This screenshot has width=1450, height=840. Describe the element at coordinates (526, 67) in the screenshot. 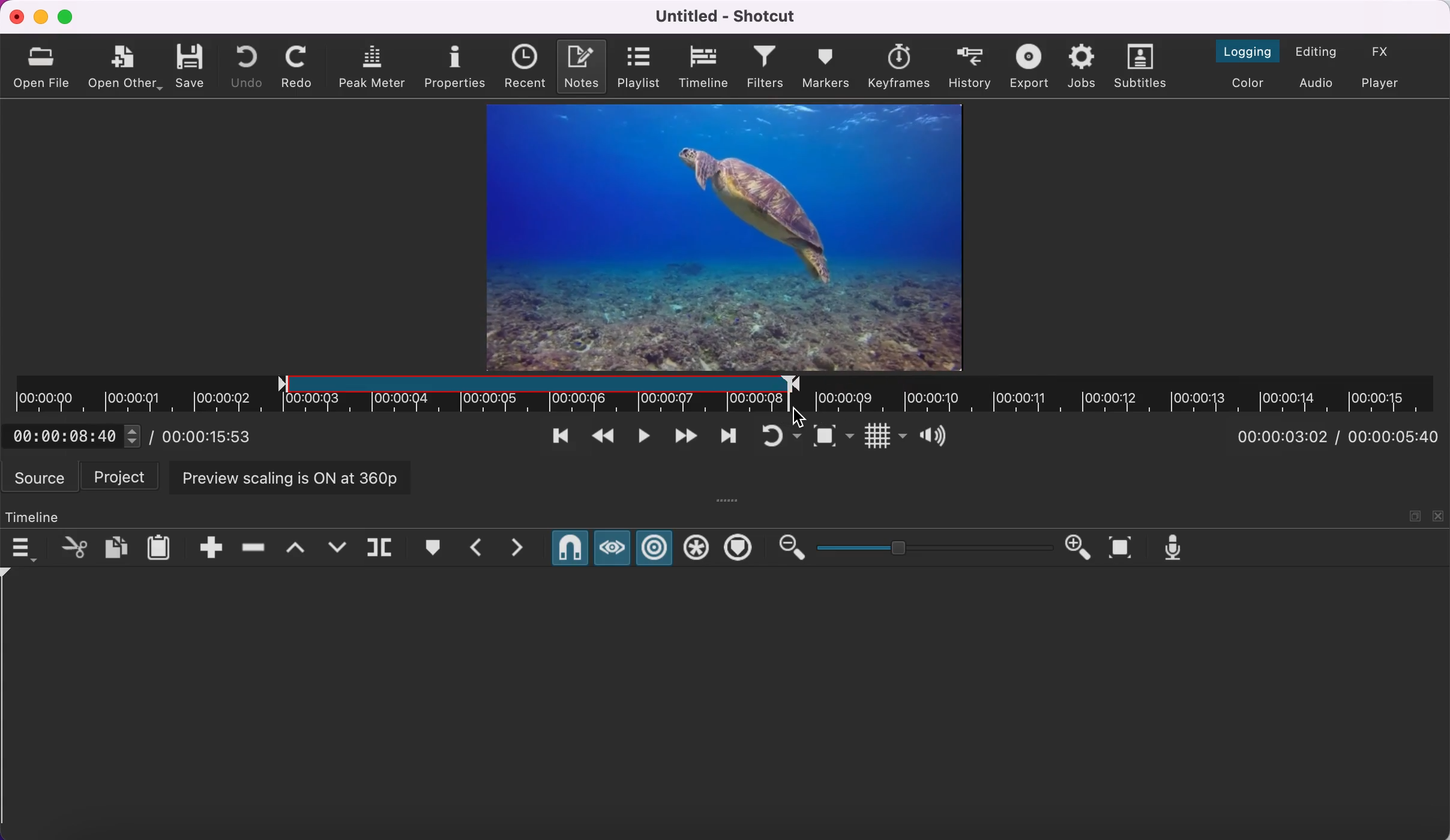

I see `recent` at that location.